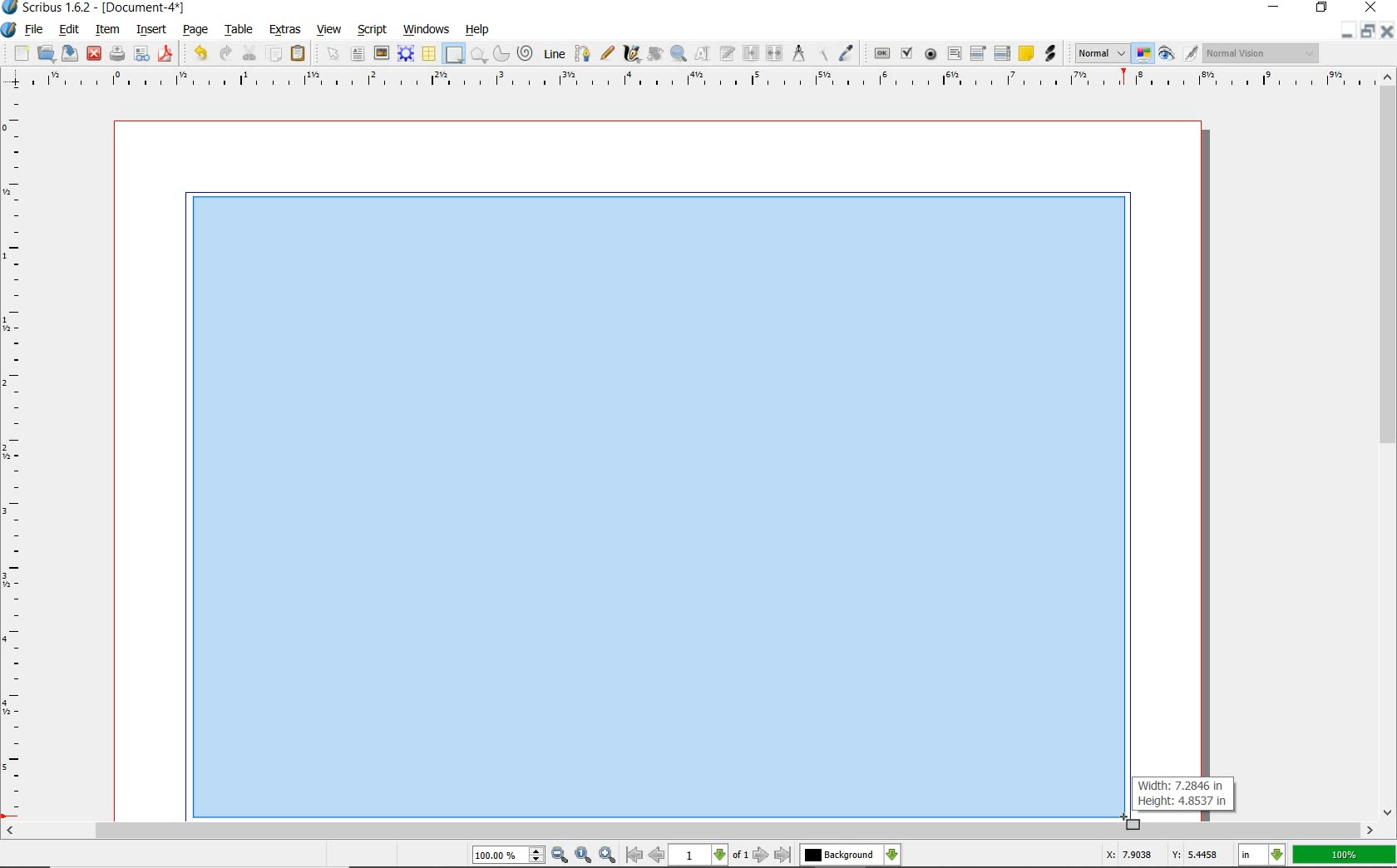 This screenshot has height=868, width=1397. What do you see at coordinates (608, 855) in the screenshot?
I see `zoom in` at bounding box center [608, 855].